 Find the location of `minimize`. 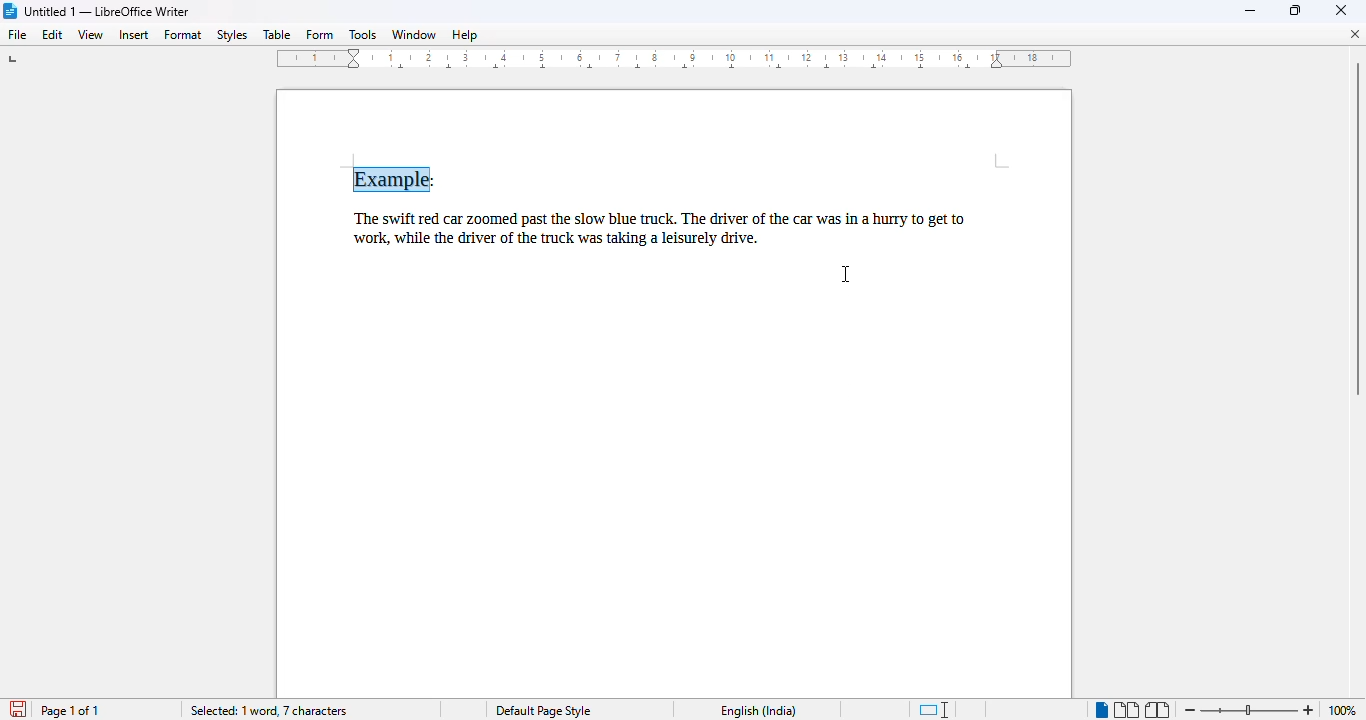

minimize is located at coordinates (1251, 11).